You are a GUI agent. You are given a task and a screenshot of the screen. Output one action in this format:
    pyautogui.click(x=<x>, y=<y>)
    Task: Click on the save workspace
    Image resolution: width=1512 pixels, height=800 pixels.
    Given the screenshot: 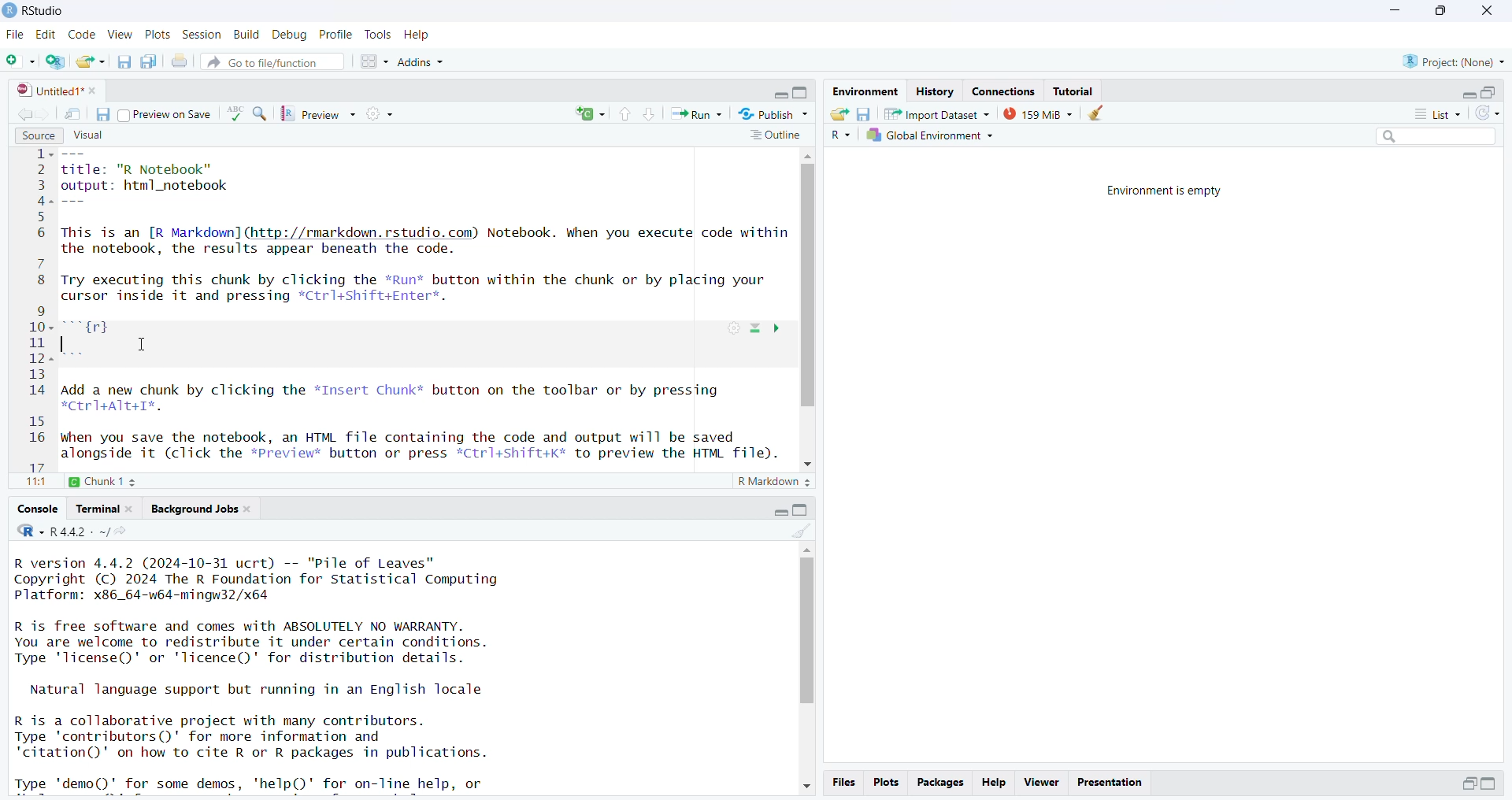 What is the action you would take?
    pyautogui.click(x=864, y=113)
    